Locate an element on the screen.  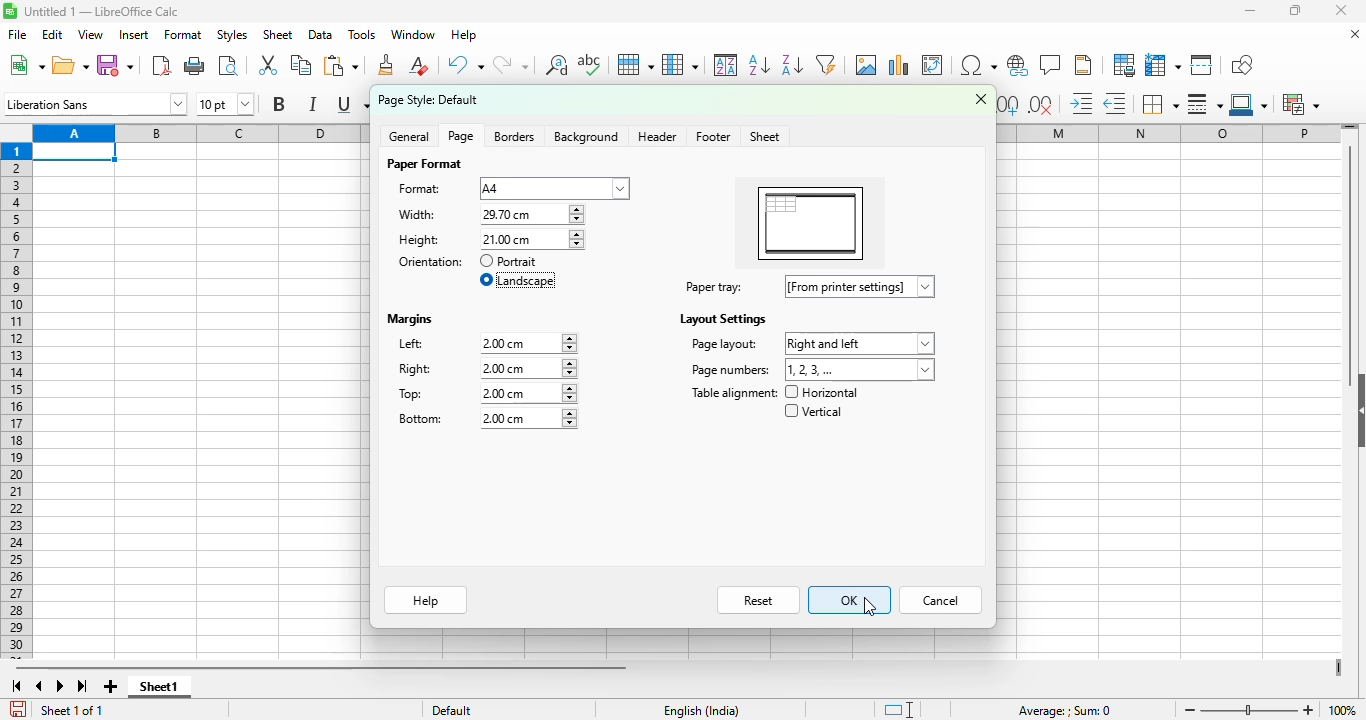
sheet is located at coordinates (277, 35).